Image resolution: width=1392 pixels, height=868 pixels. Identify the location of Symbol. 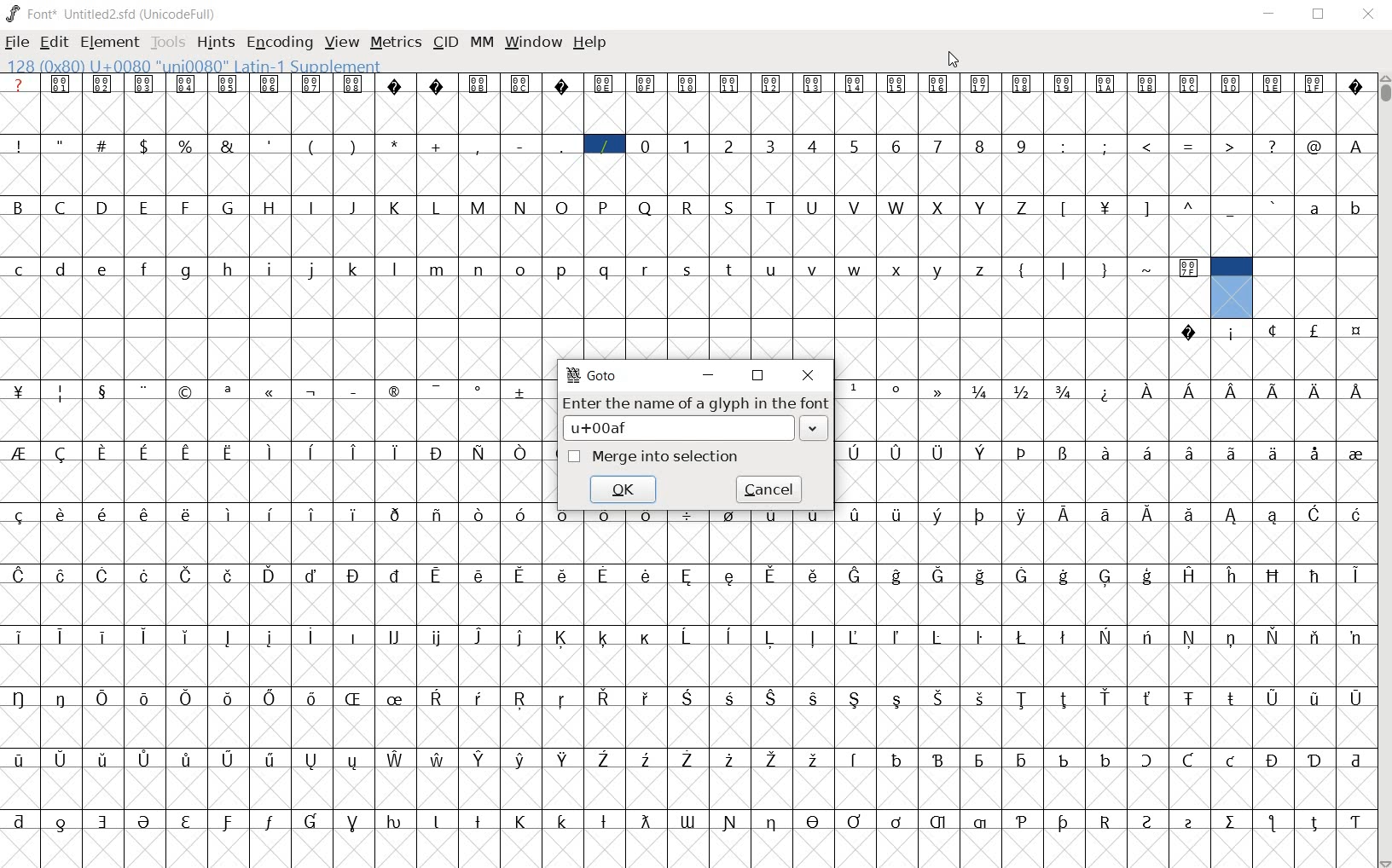
(647, 760).